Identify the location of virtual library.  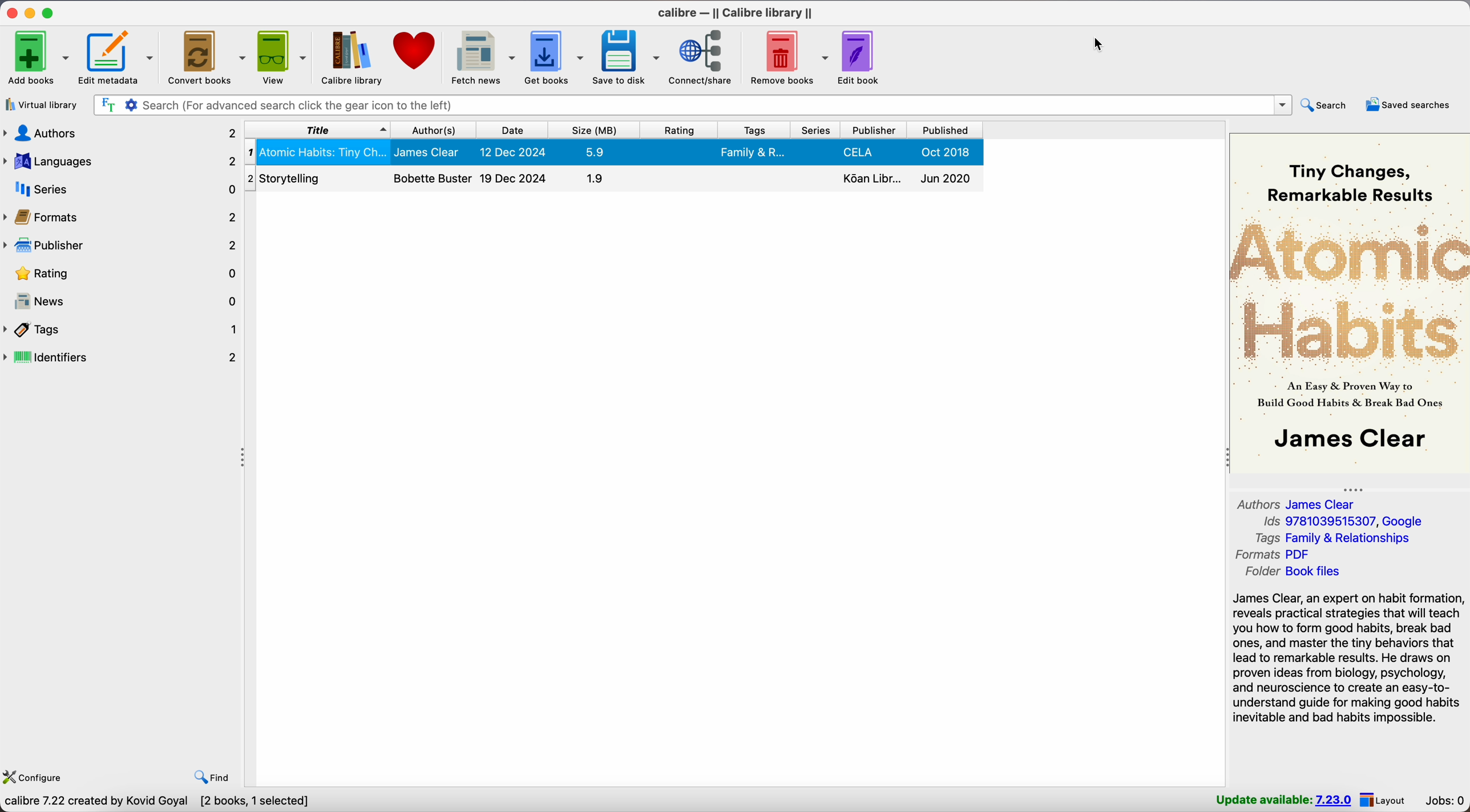
(41, 104).